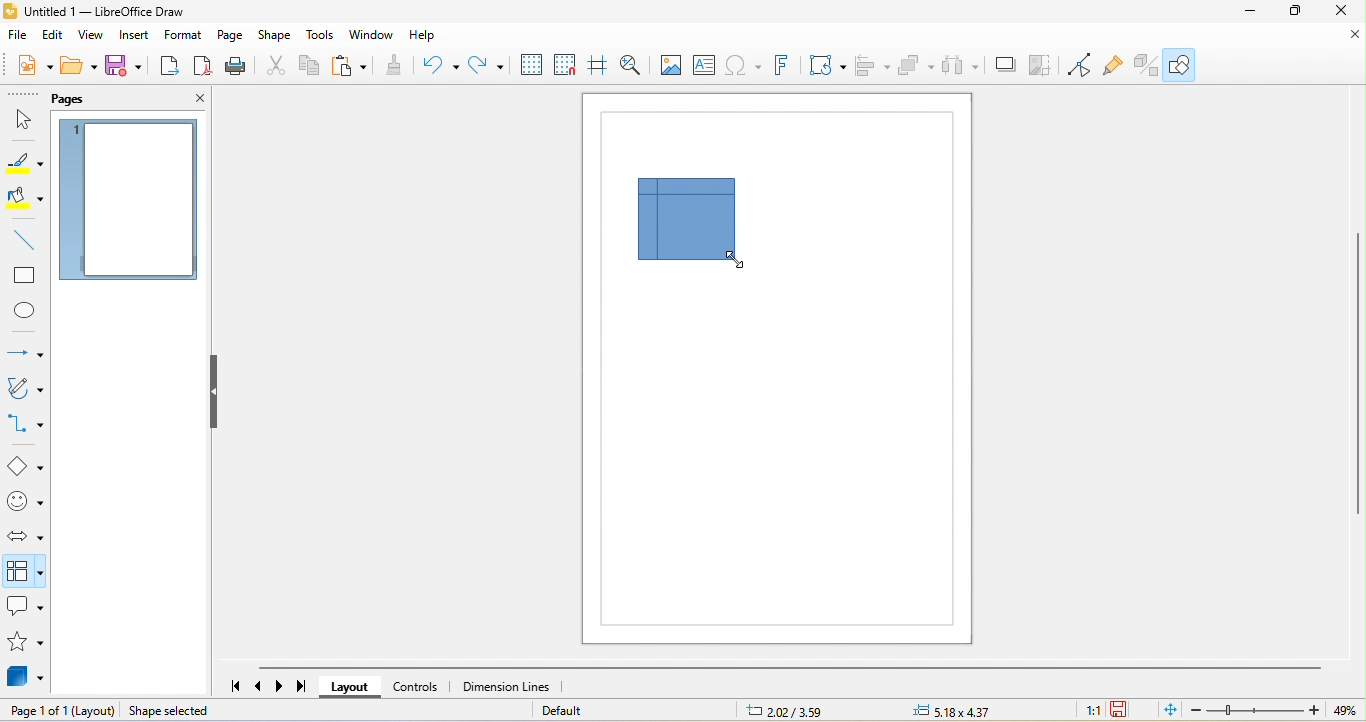 The width and height of the screenshot is (1366, 722). Describe the element at coordinates (24, 352) in the screenshot. I see `lines and arrow` at that location.